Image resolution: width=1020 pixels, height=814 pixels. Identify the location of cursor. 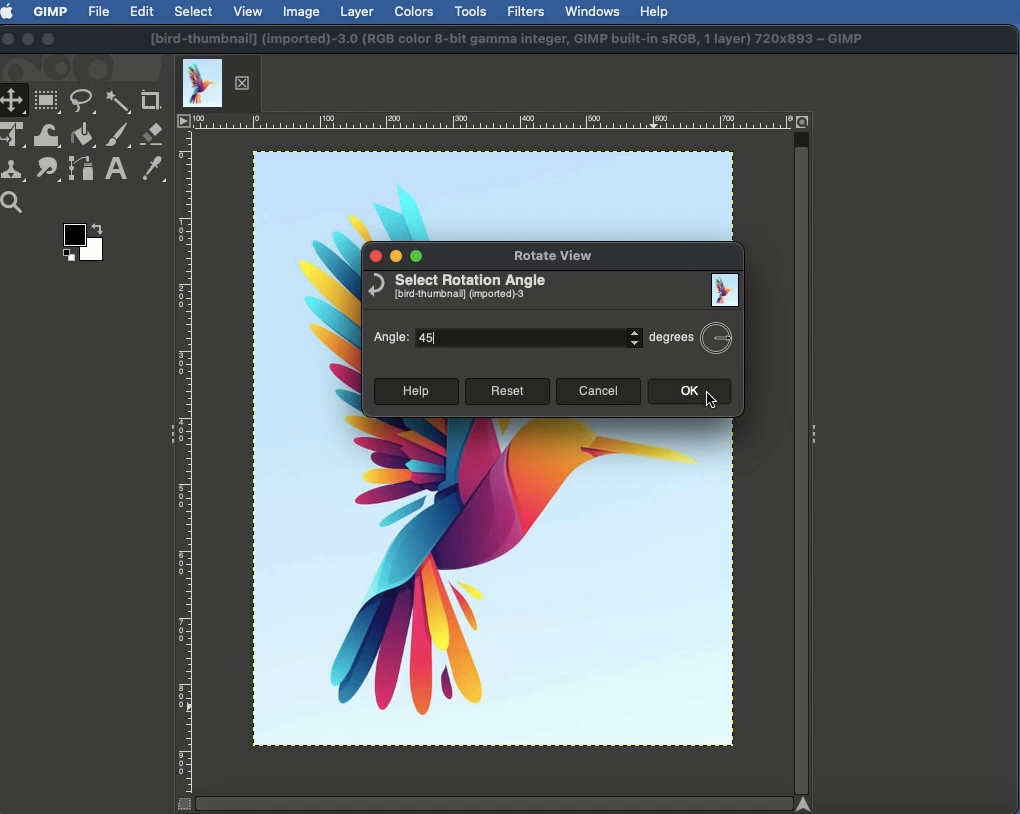
(725, 406).